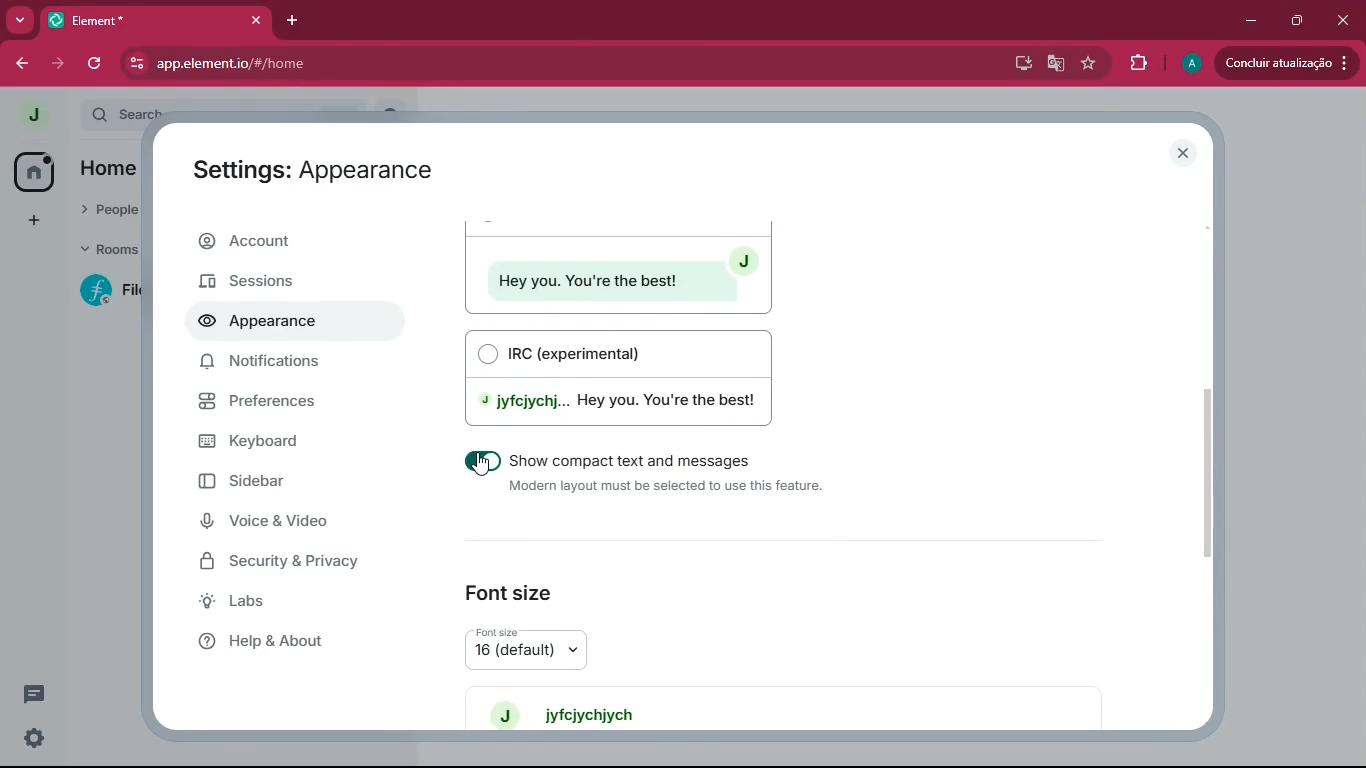  Describe the element at coordinates (291, 404) in the screenshot. I see `preferences` at that location.